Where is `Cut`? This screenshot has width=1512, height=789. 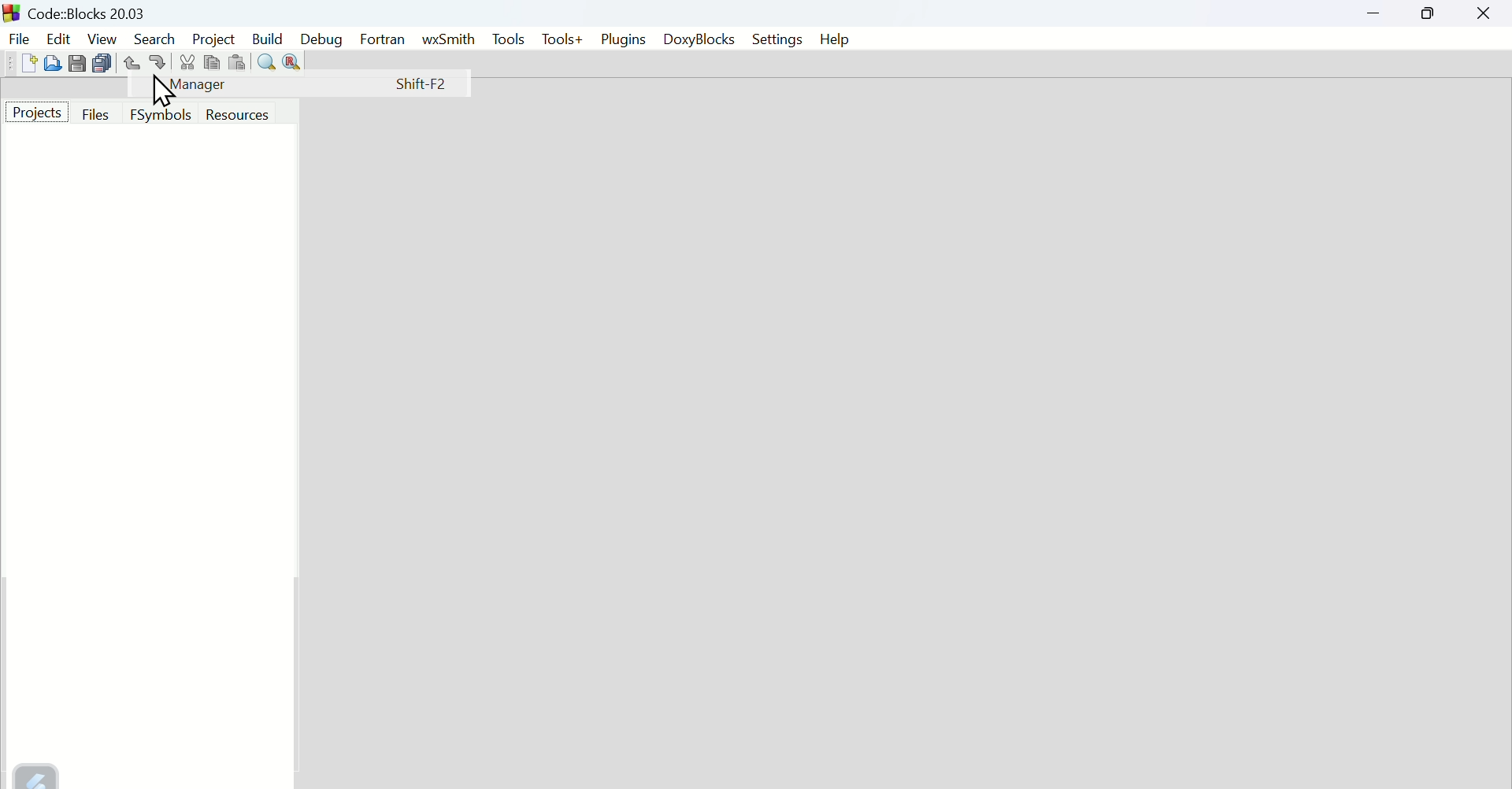 Cut is located at coordinates (187, 61).